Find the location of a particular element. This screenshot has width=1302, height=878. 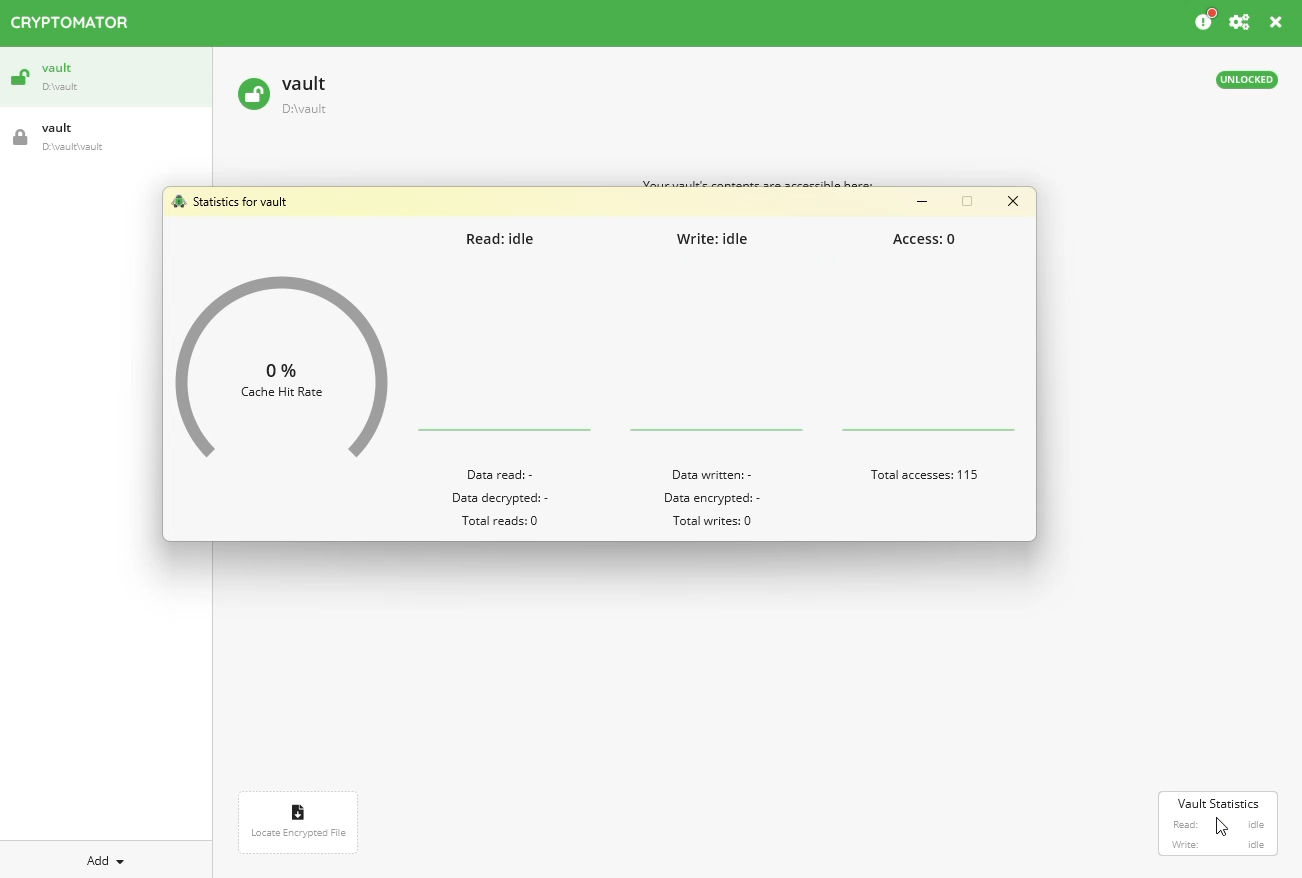

vault unlocked is located at coordinates (281, 95).